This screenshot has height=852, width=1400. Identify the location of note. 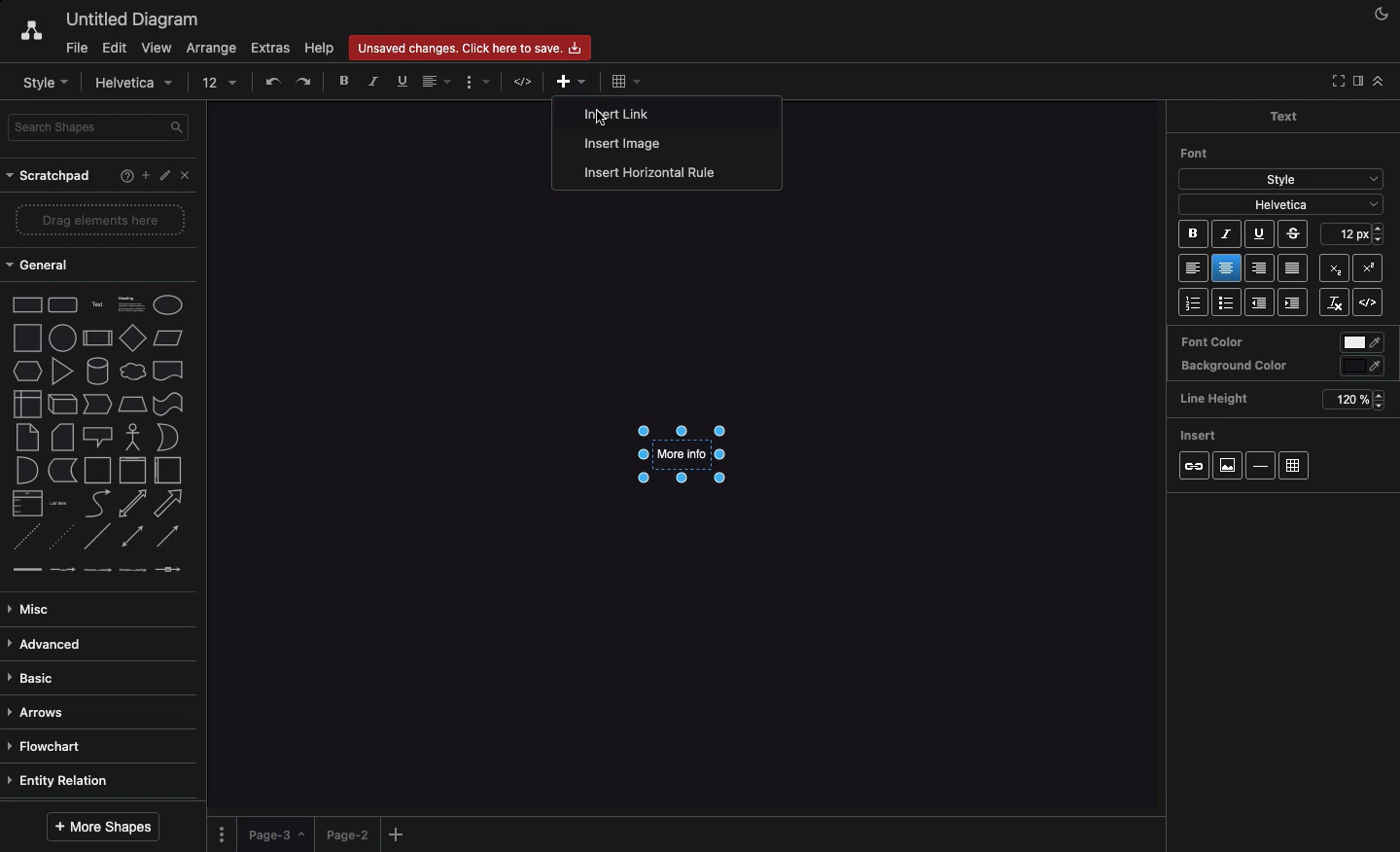
(27, 438).